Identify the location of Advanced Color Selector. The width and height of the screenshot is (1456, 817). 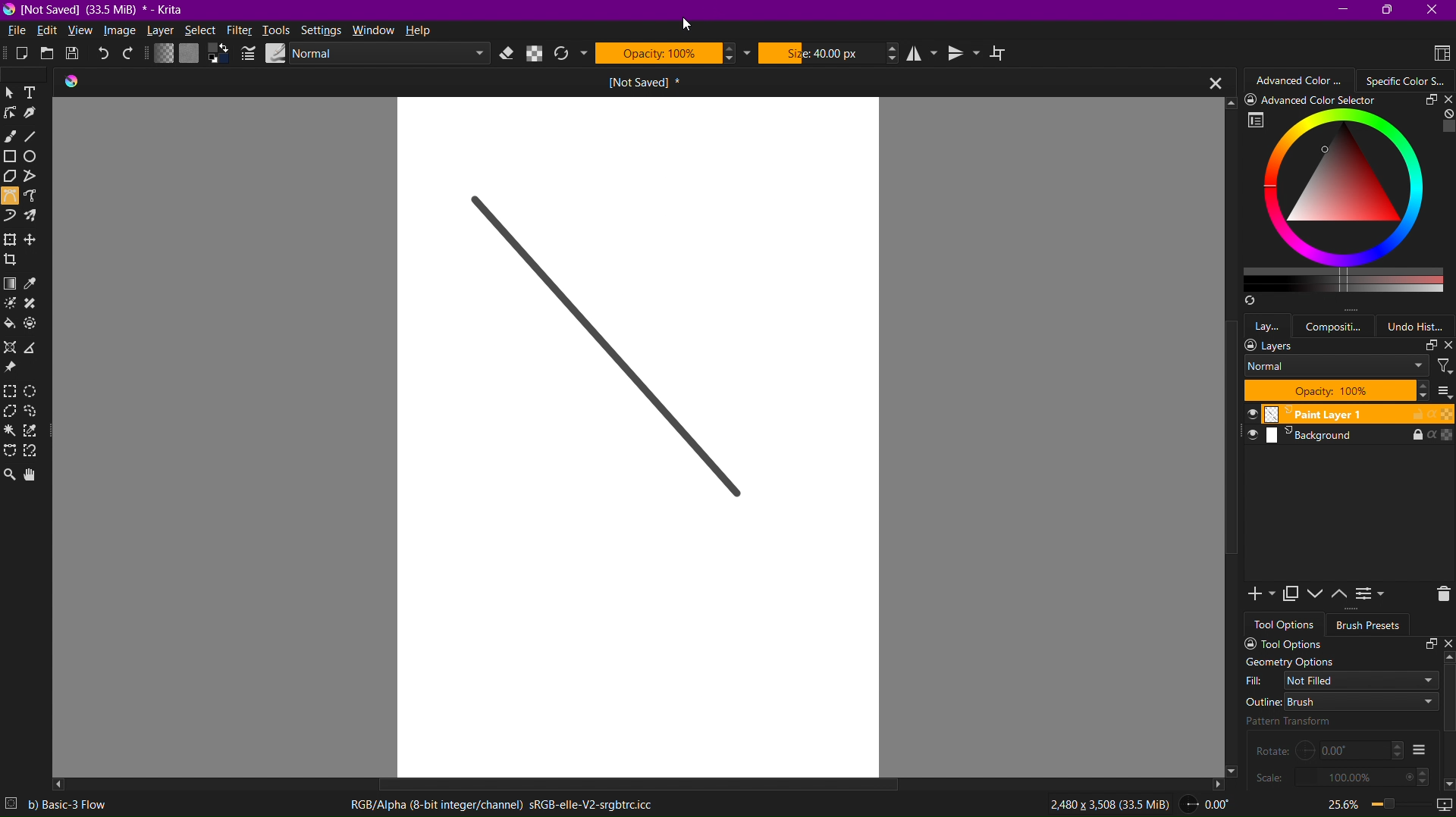
(1302, 80).